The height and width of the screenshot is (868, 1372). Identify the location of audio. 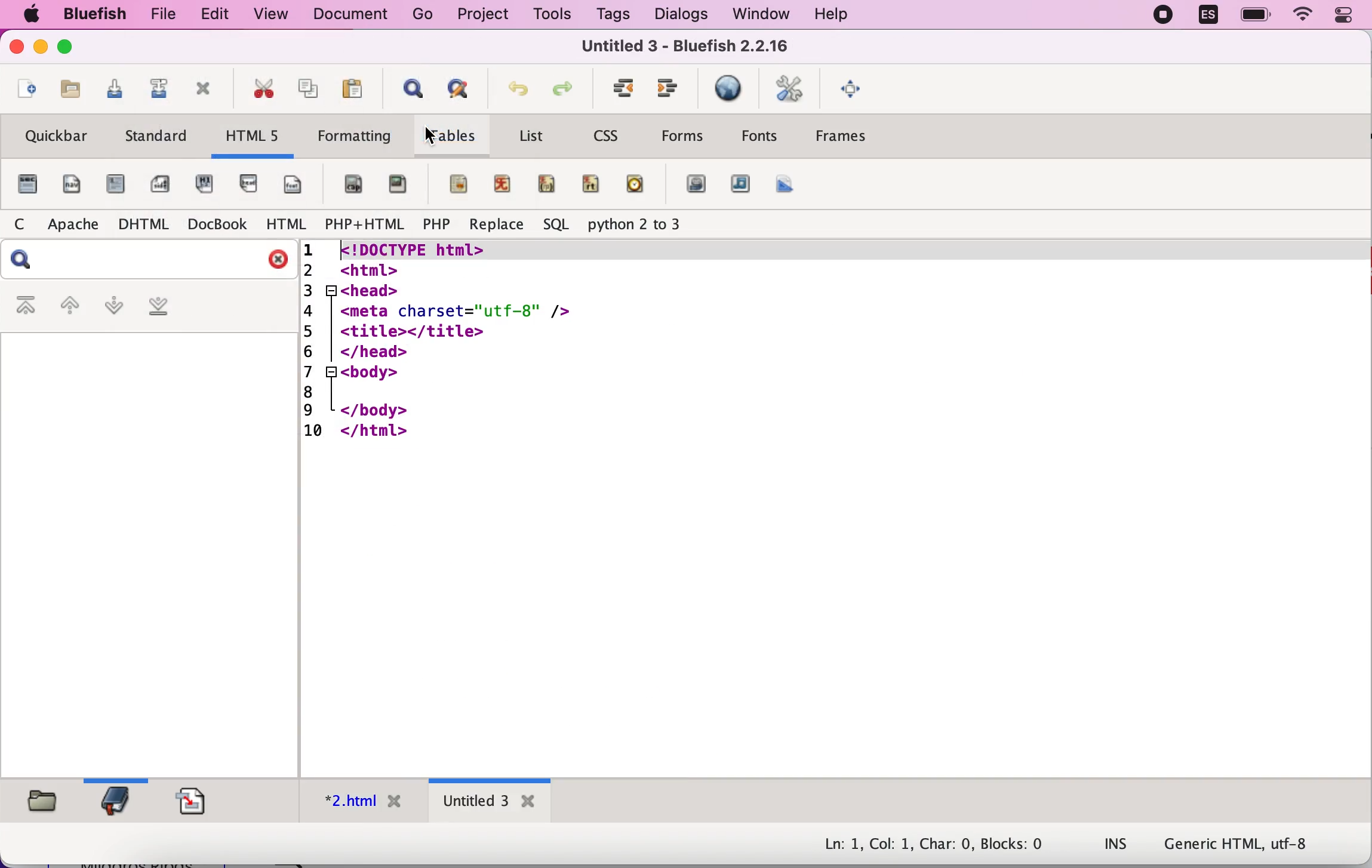
(741, 186).